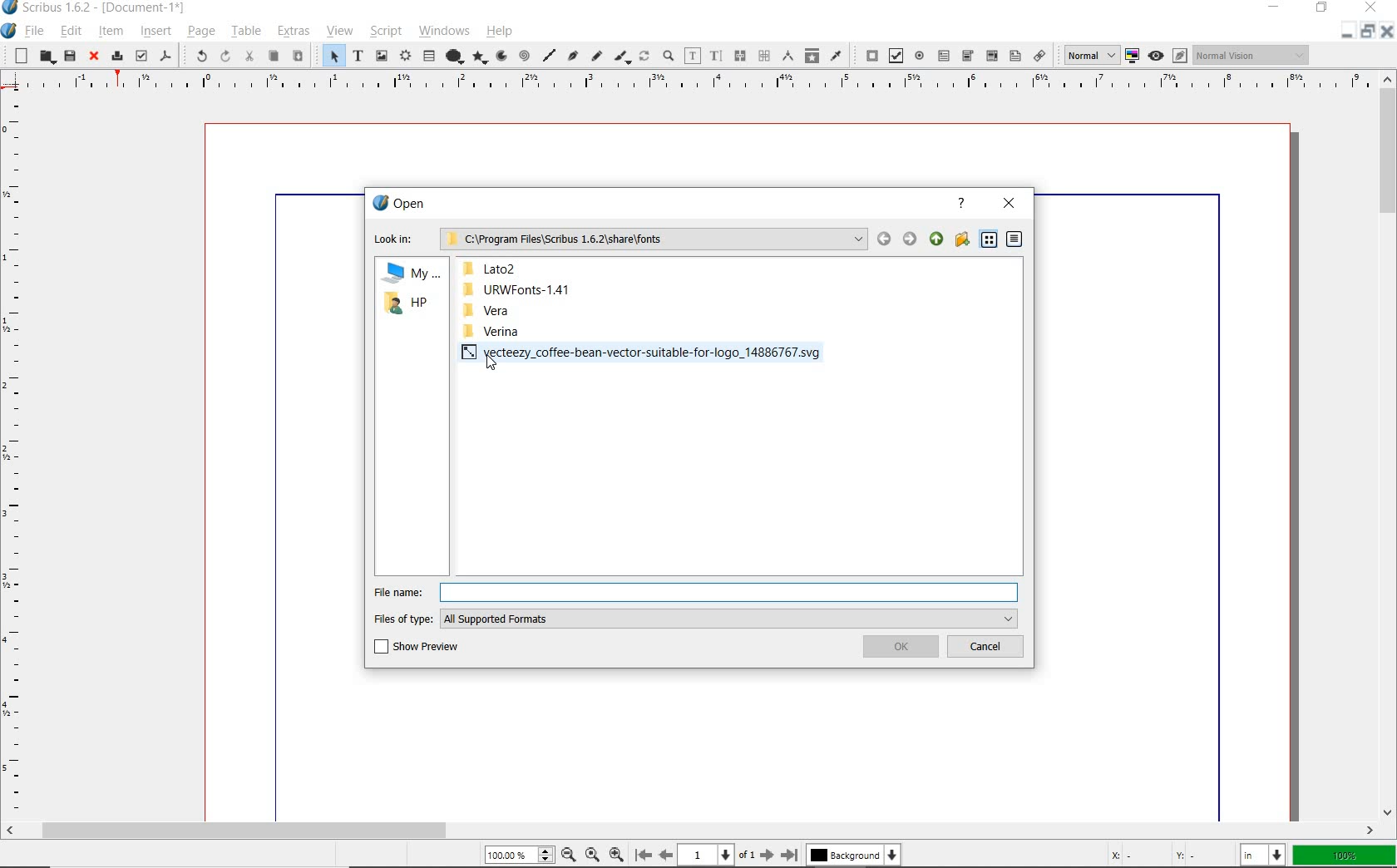  What do you see at coordinates (500, 31) in the screenshot?
I see `help` at bounding box center [500, 31].